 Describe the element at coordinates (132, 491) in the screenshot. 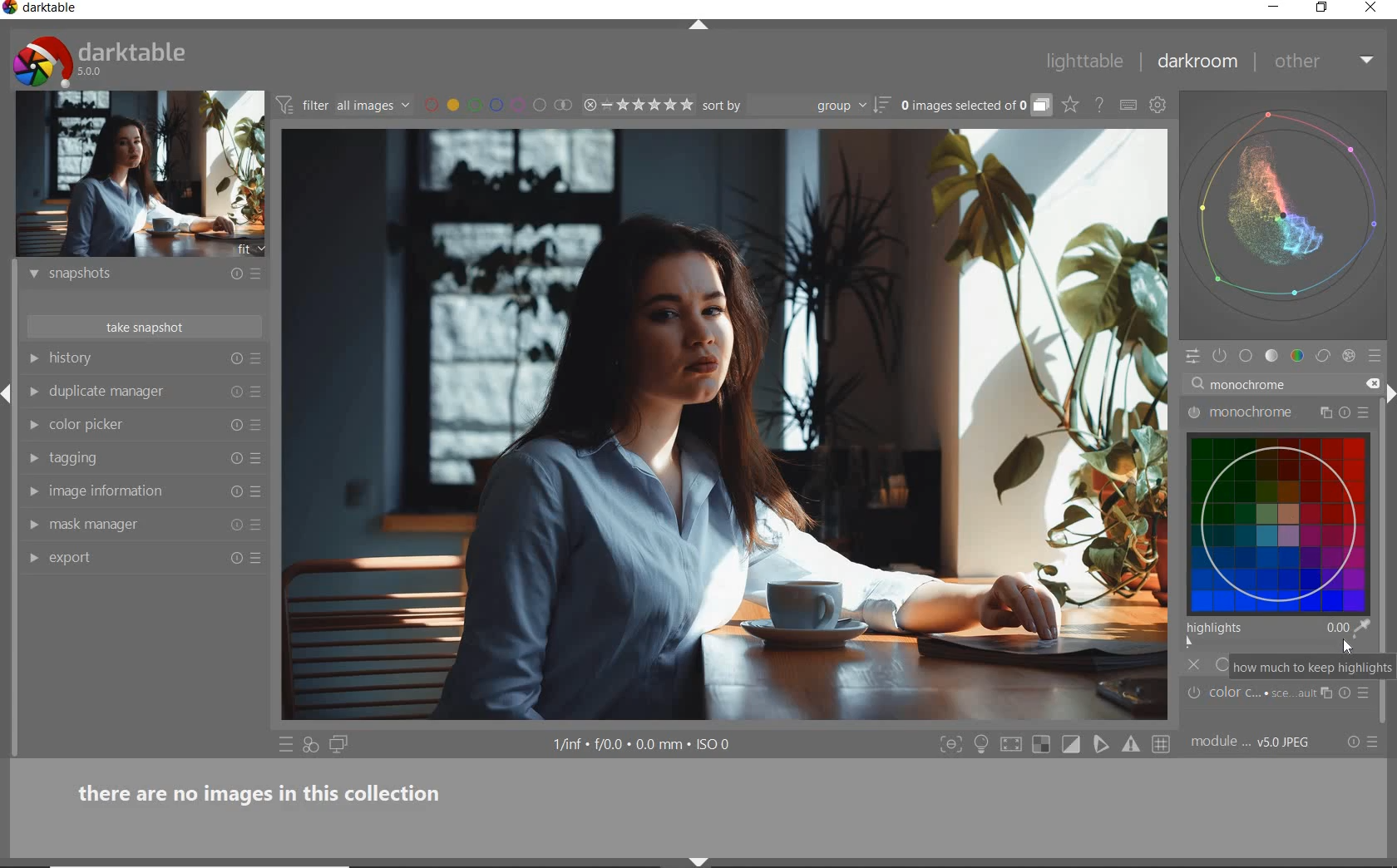

I see `image information` at that location.